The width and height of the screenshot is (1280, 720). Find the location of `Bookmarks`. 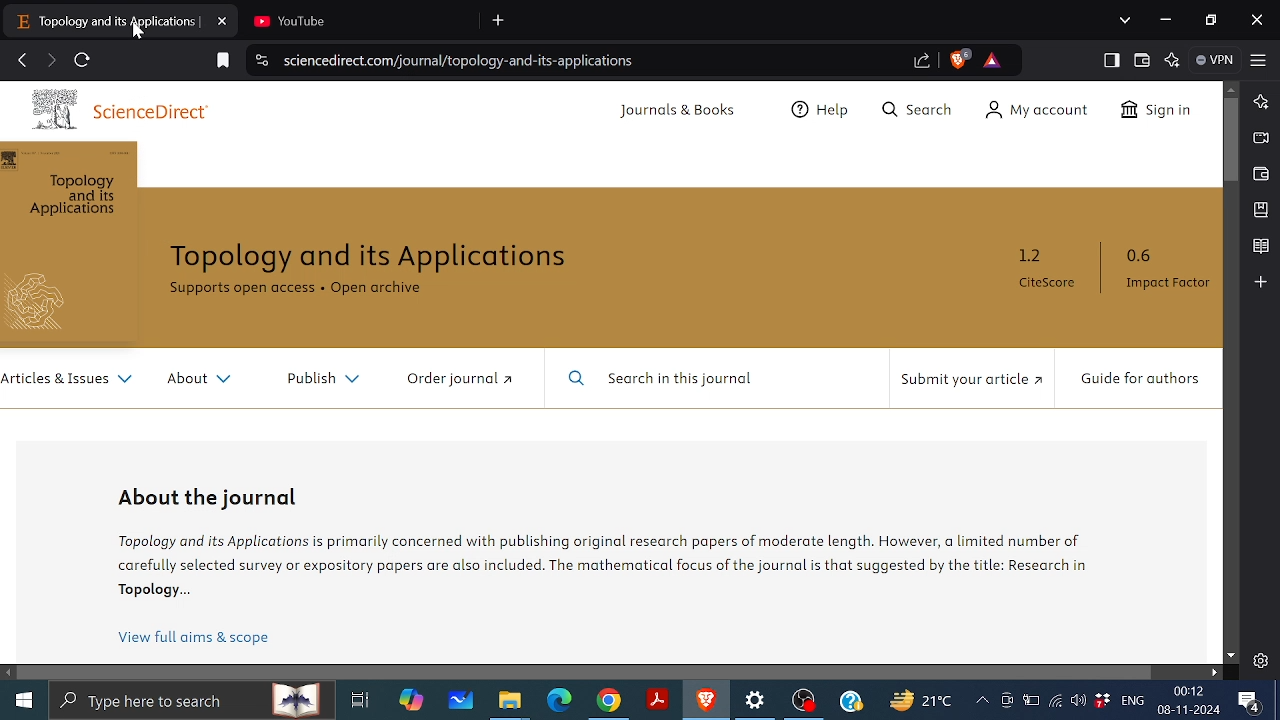

Bookmarks is located at coordinates (1262, 209).